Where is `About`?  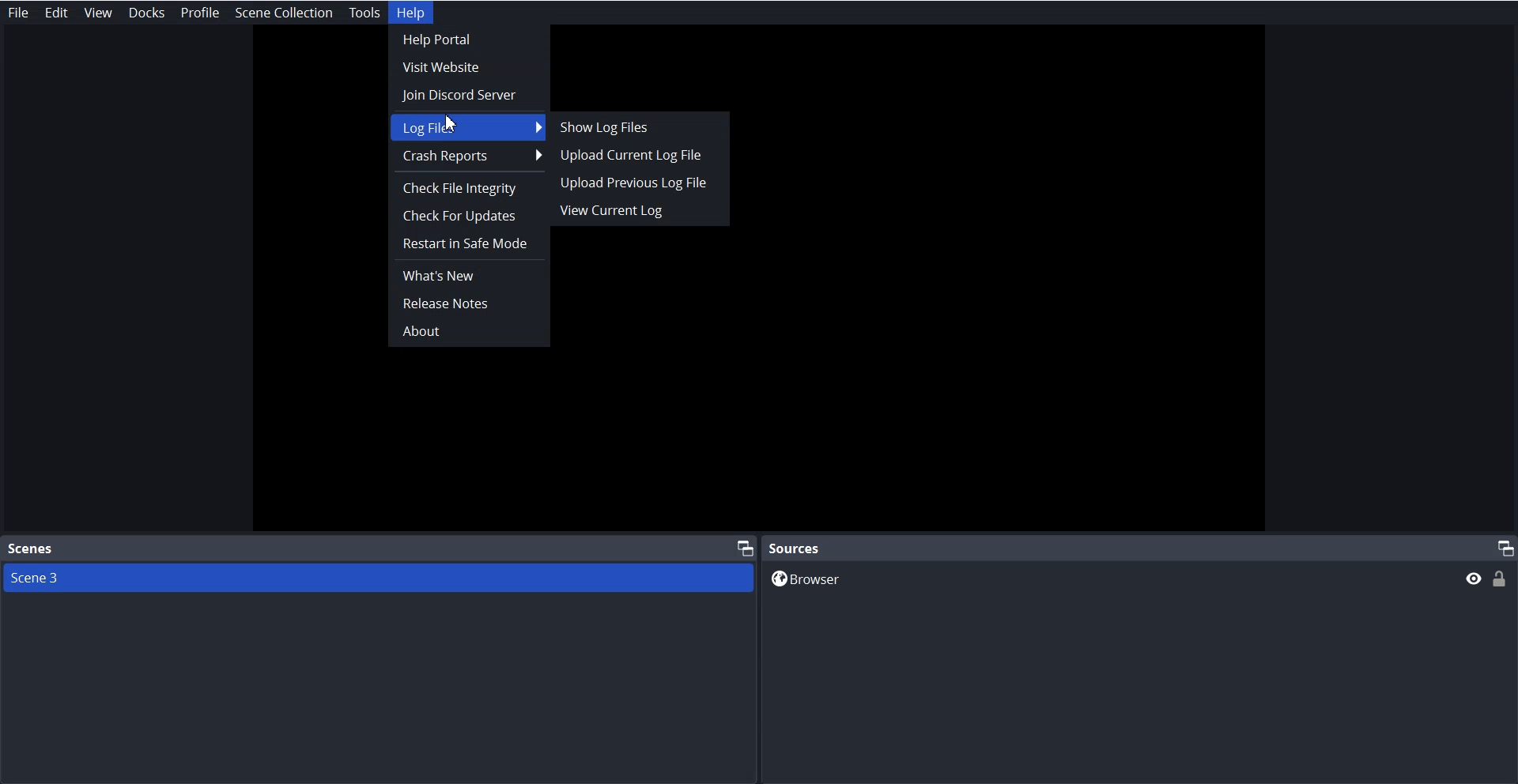 About is located at coordinates (466, 330).